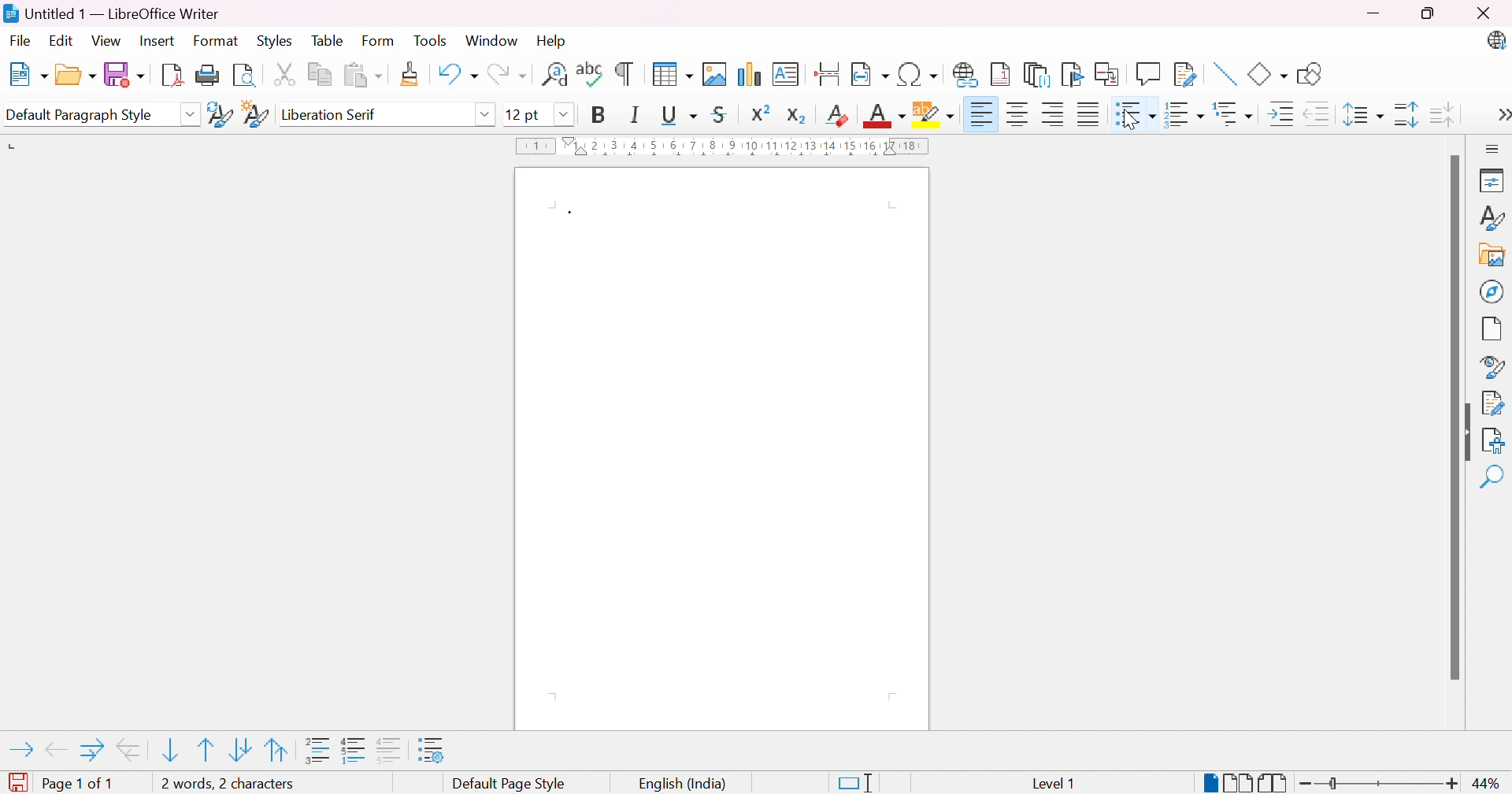 Image resolution: width=1512 pixels, height=794 pixels. Describe the element at coordinates (556, 42) in the screenshot. I see `Help` at that location.